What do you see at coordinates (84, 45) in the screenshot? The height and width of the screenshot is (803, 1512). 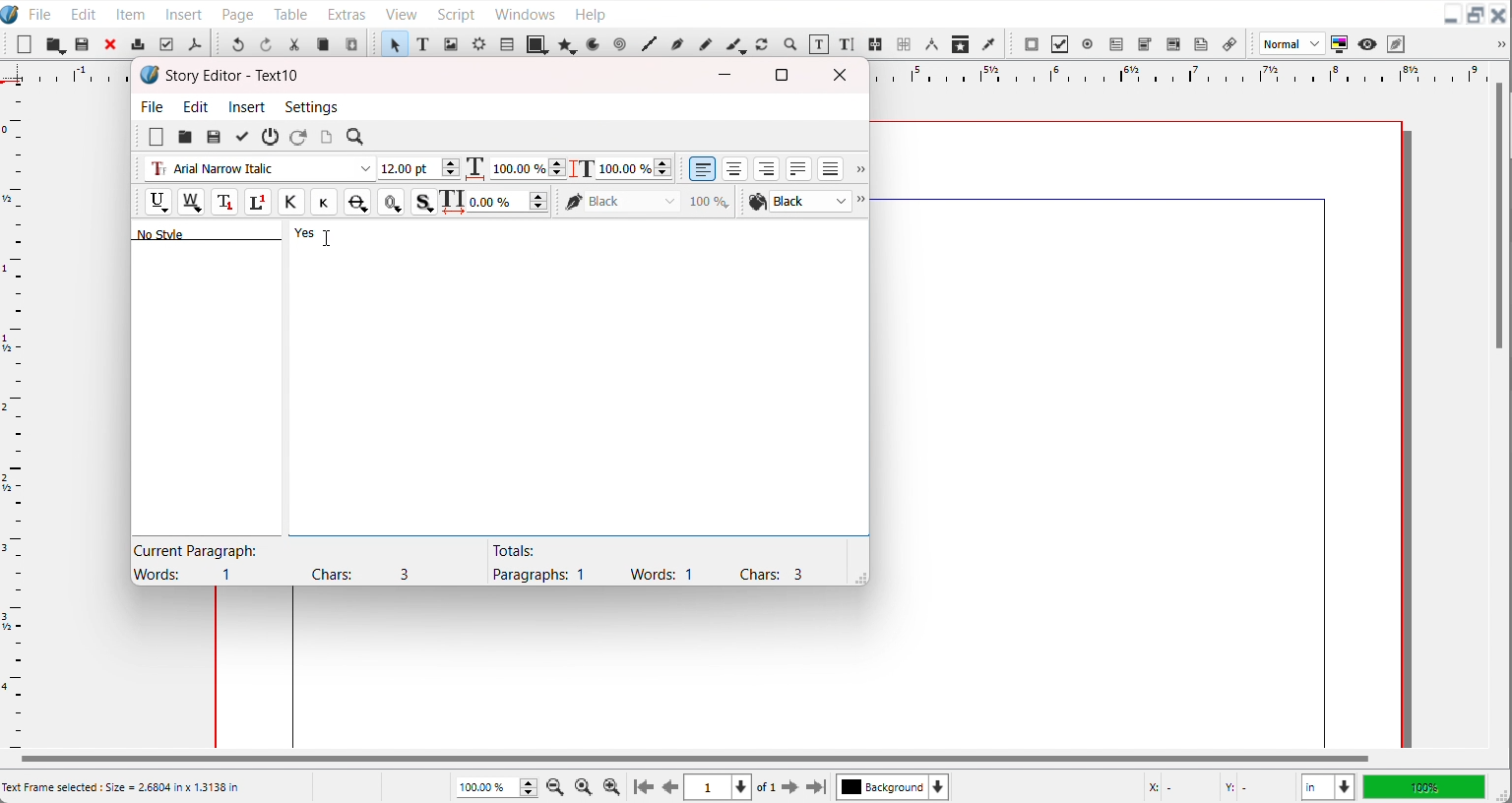 I see `Open` at bounding box center [84, 45].